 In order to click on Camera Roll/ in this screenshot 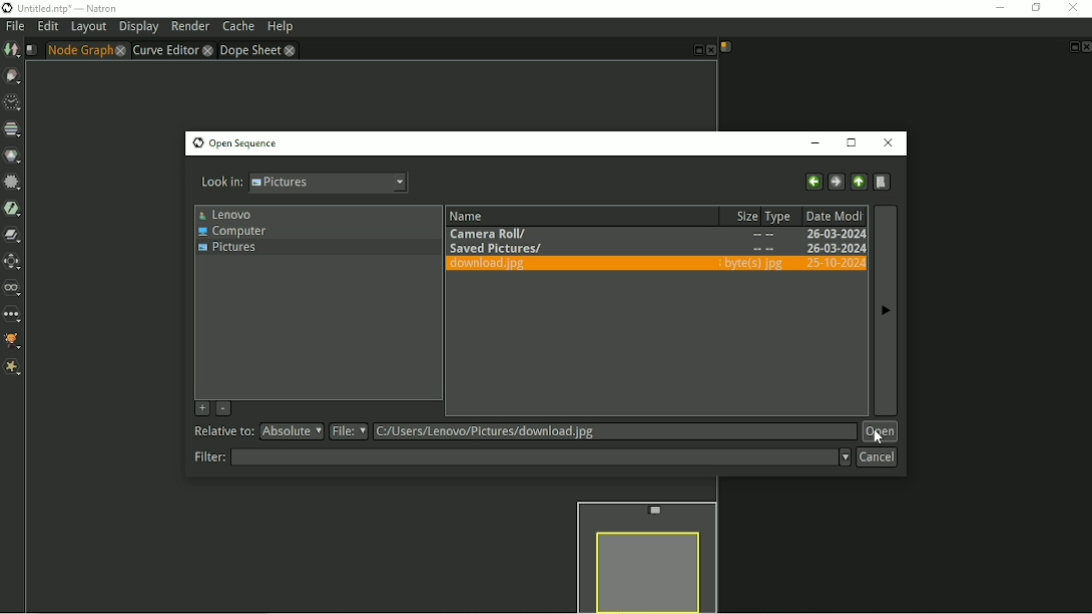, I will do `click(496, 234)`.